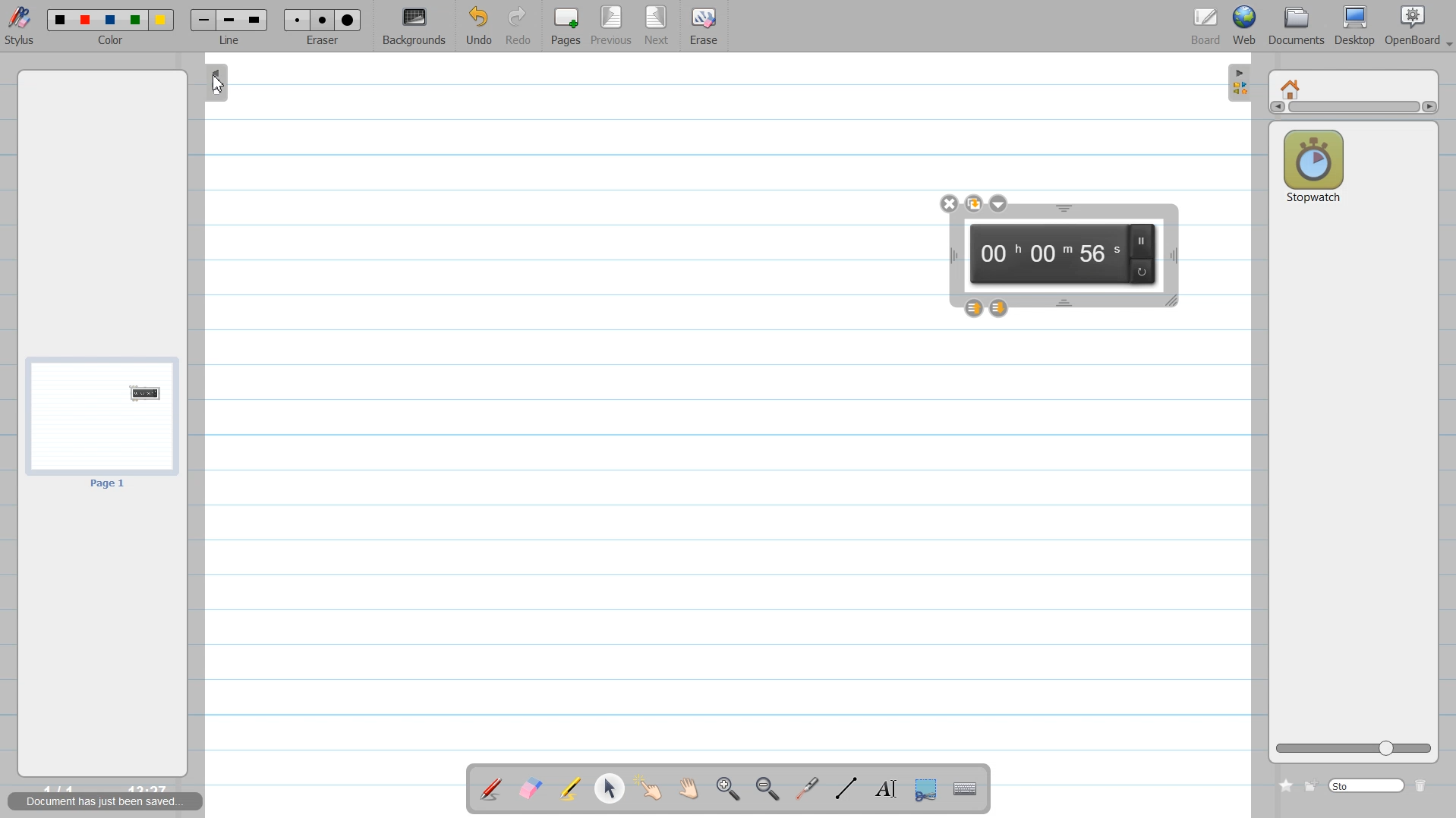 This screenshot has width=1456, height=818. I want to click on Annotate a Document , so click(491, 788).